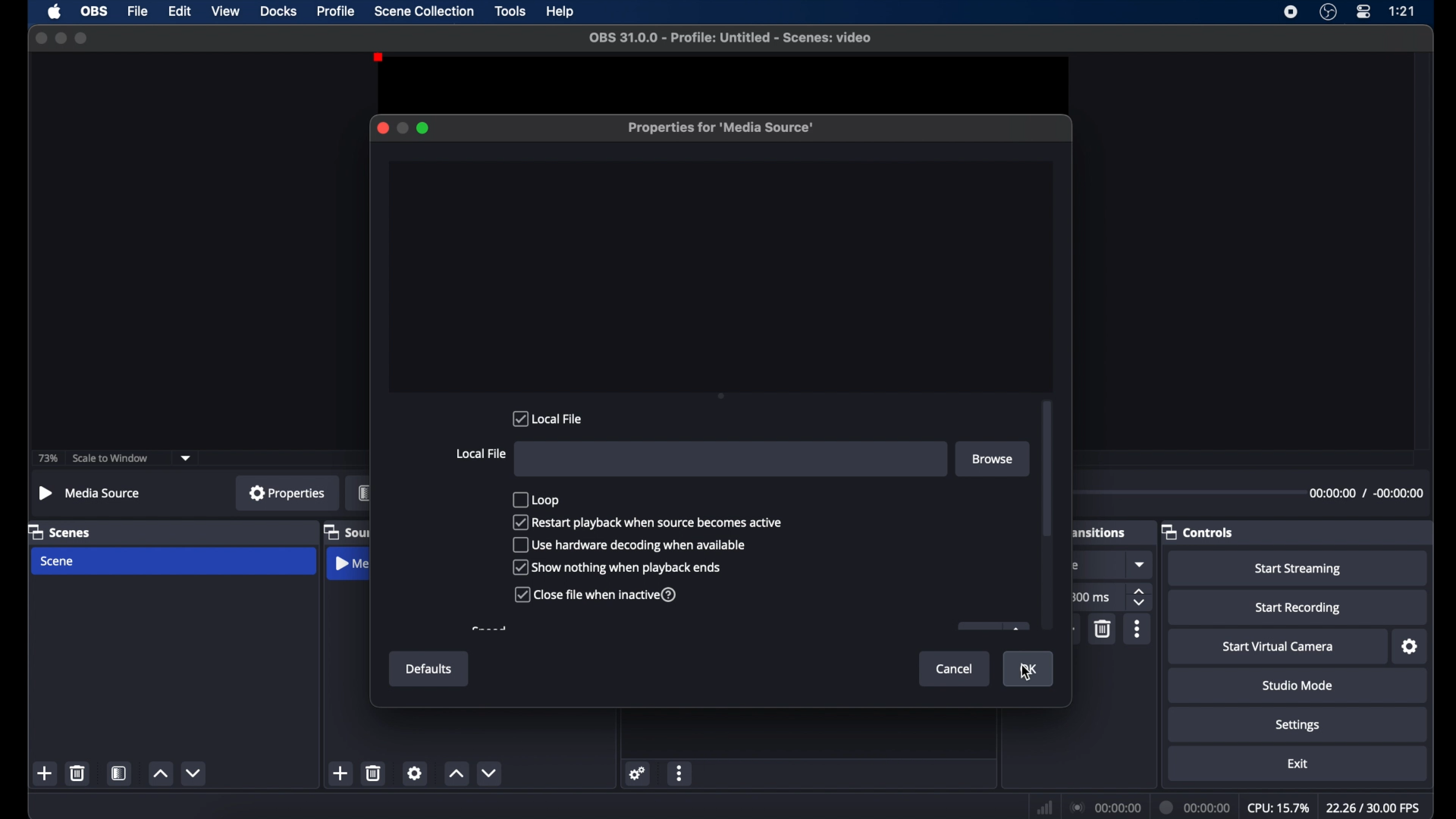  I want to click on control center, so click(1364, 11).